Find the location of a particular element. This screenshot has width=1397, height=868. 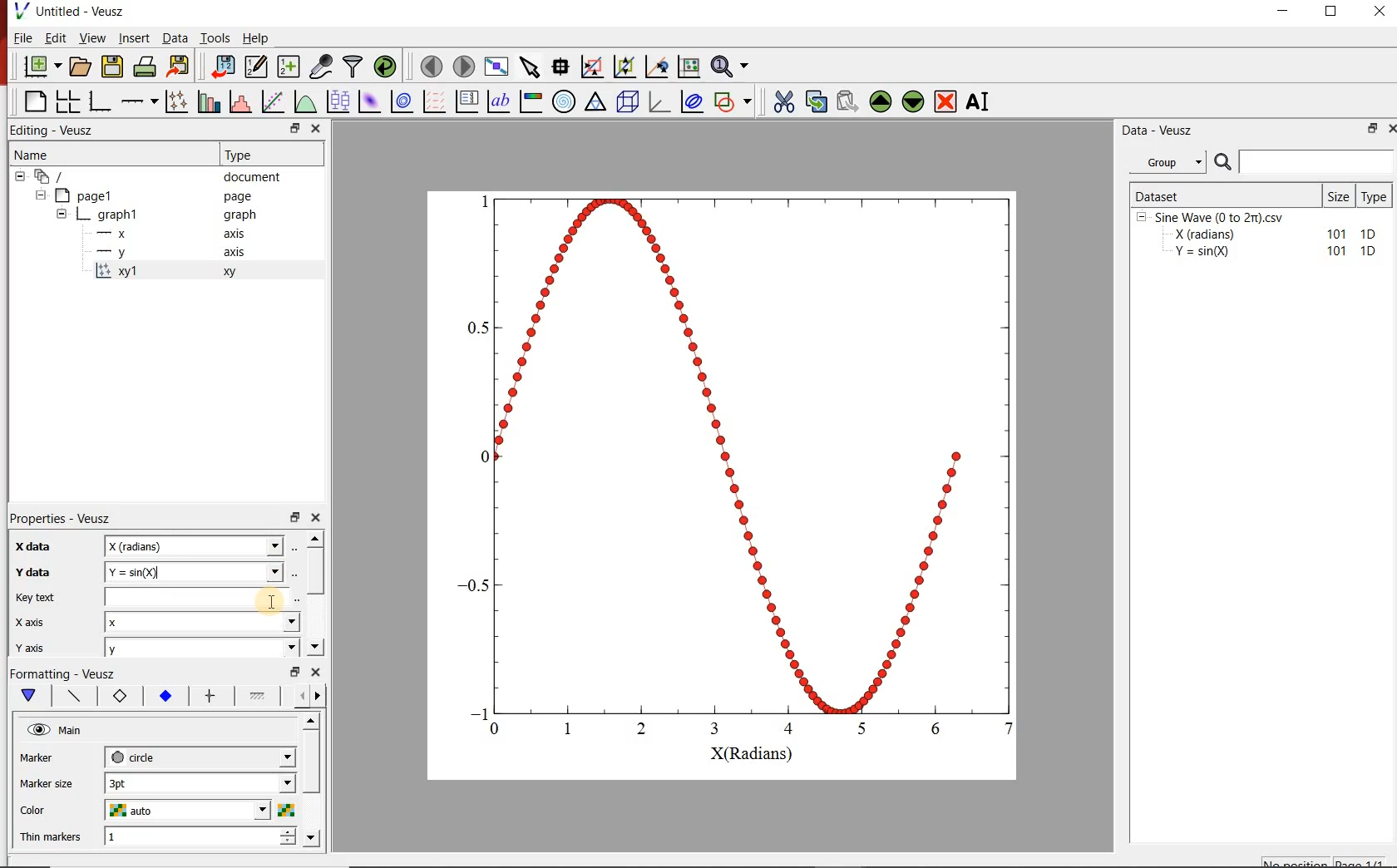

Min/Max is located at coordinates (295, 515).